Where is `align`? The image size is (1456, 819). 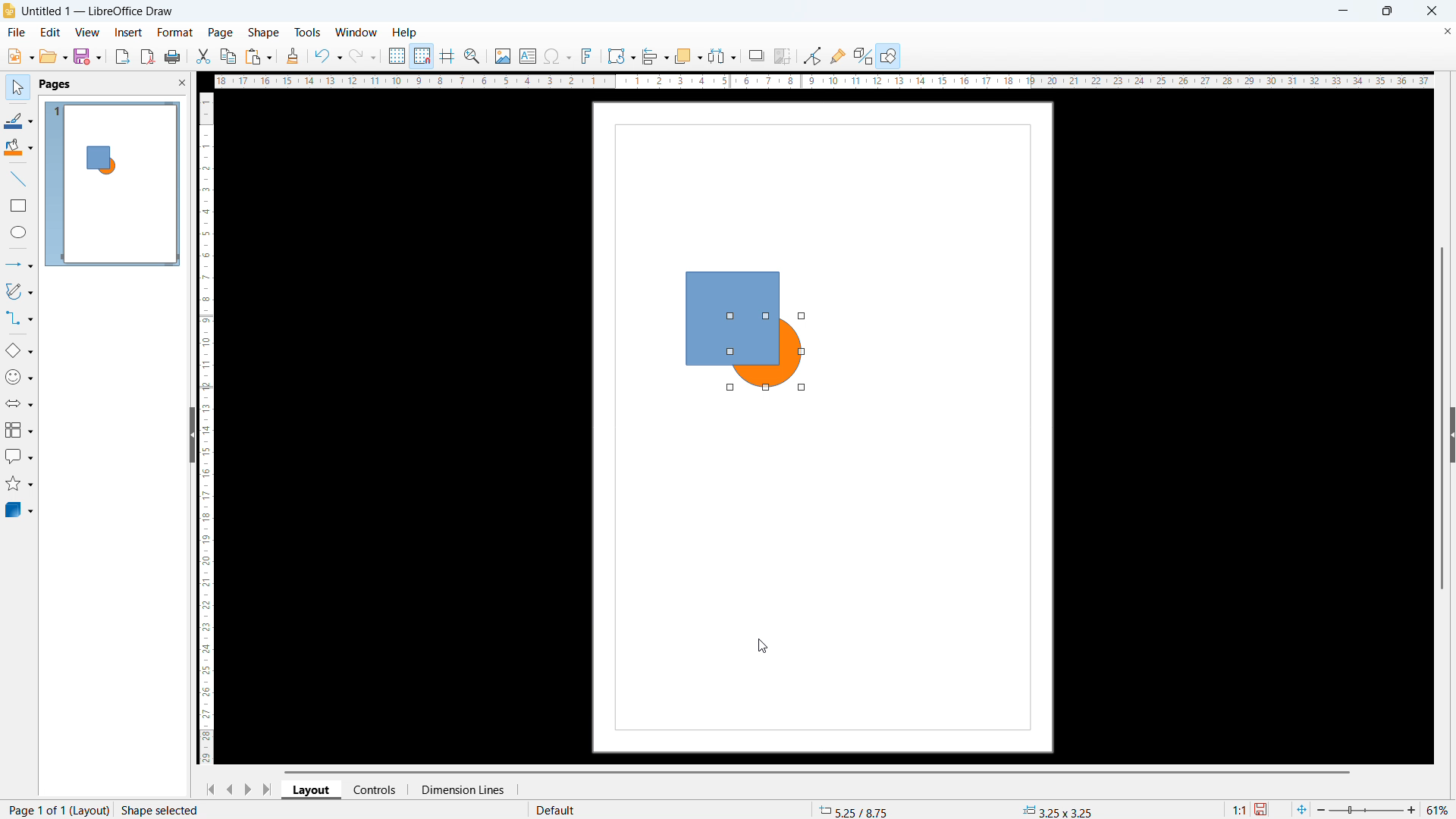
align is located at coordinates (655, 57).